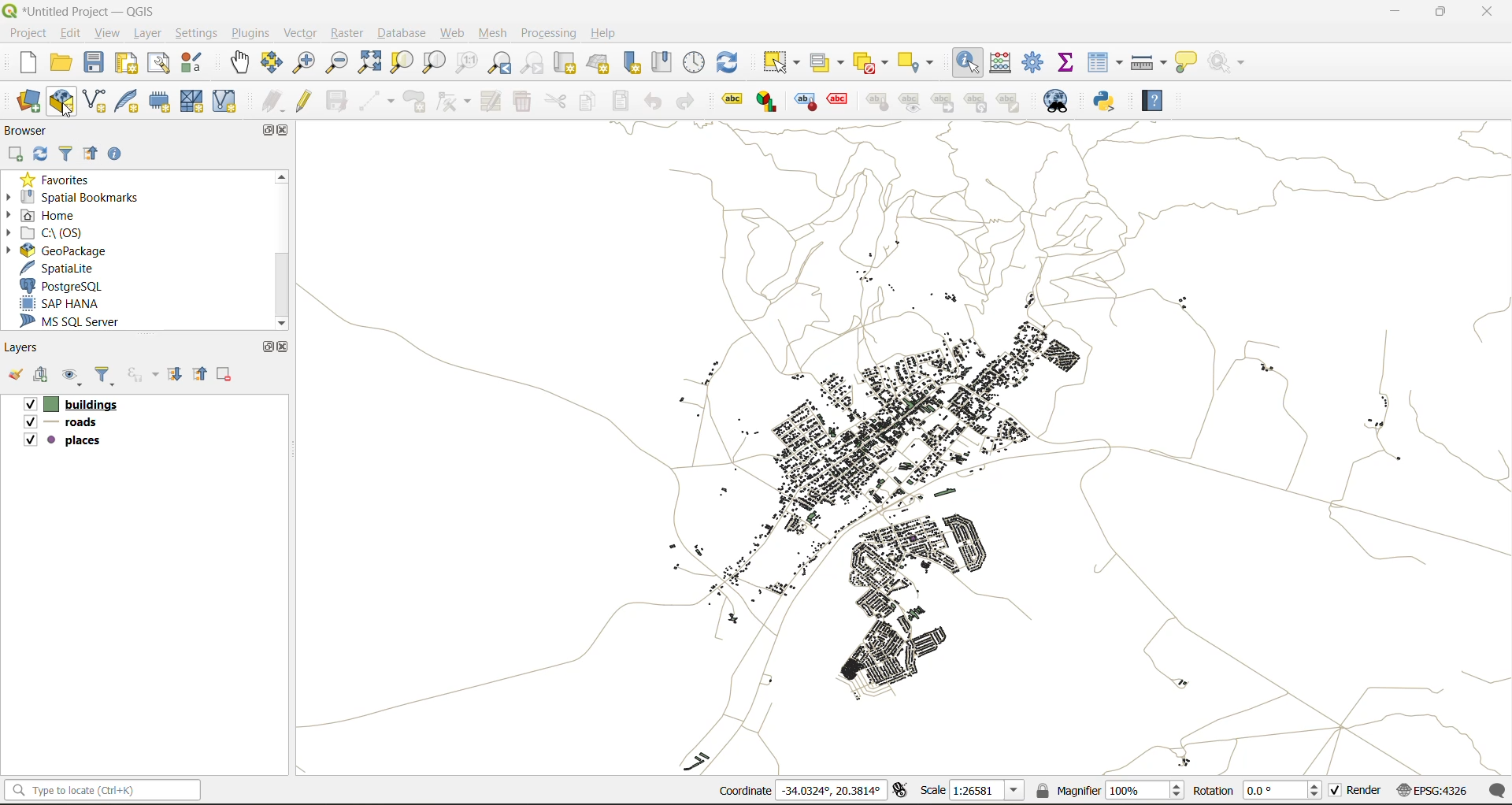 Image resolution: width=1512 pixels, height=805 pixels. Describe the element at coordinates (1063, 104) in the screenshot. I see `metasearch` at that location.